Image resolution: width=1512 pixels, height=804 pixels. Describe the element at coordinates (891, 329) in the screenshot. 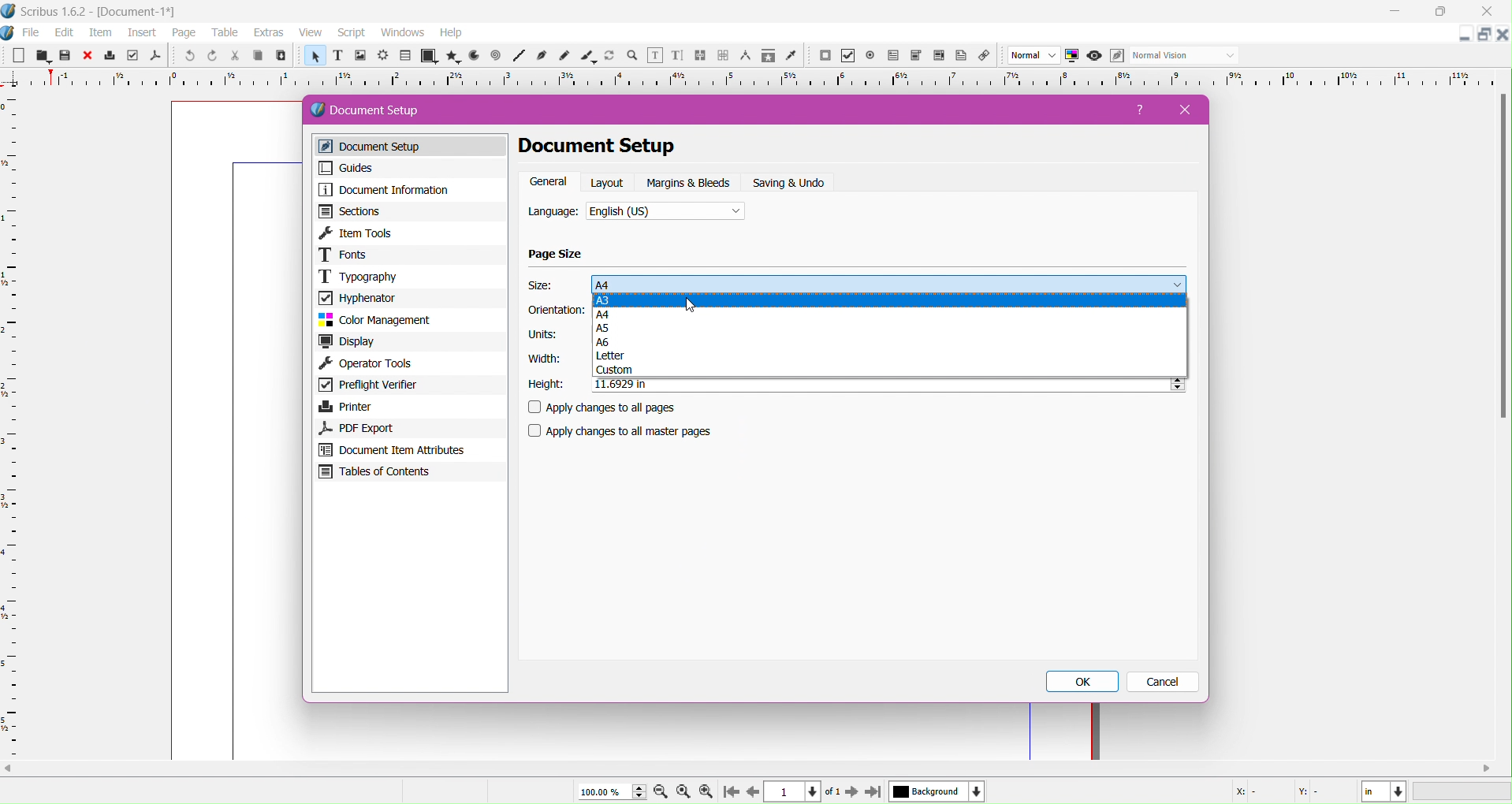

I see `A5` at that location.